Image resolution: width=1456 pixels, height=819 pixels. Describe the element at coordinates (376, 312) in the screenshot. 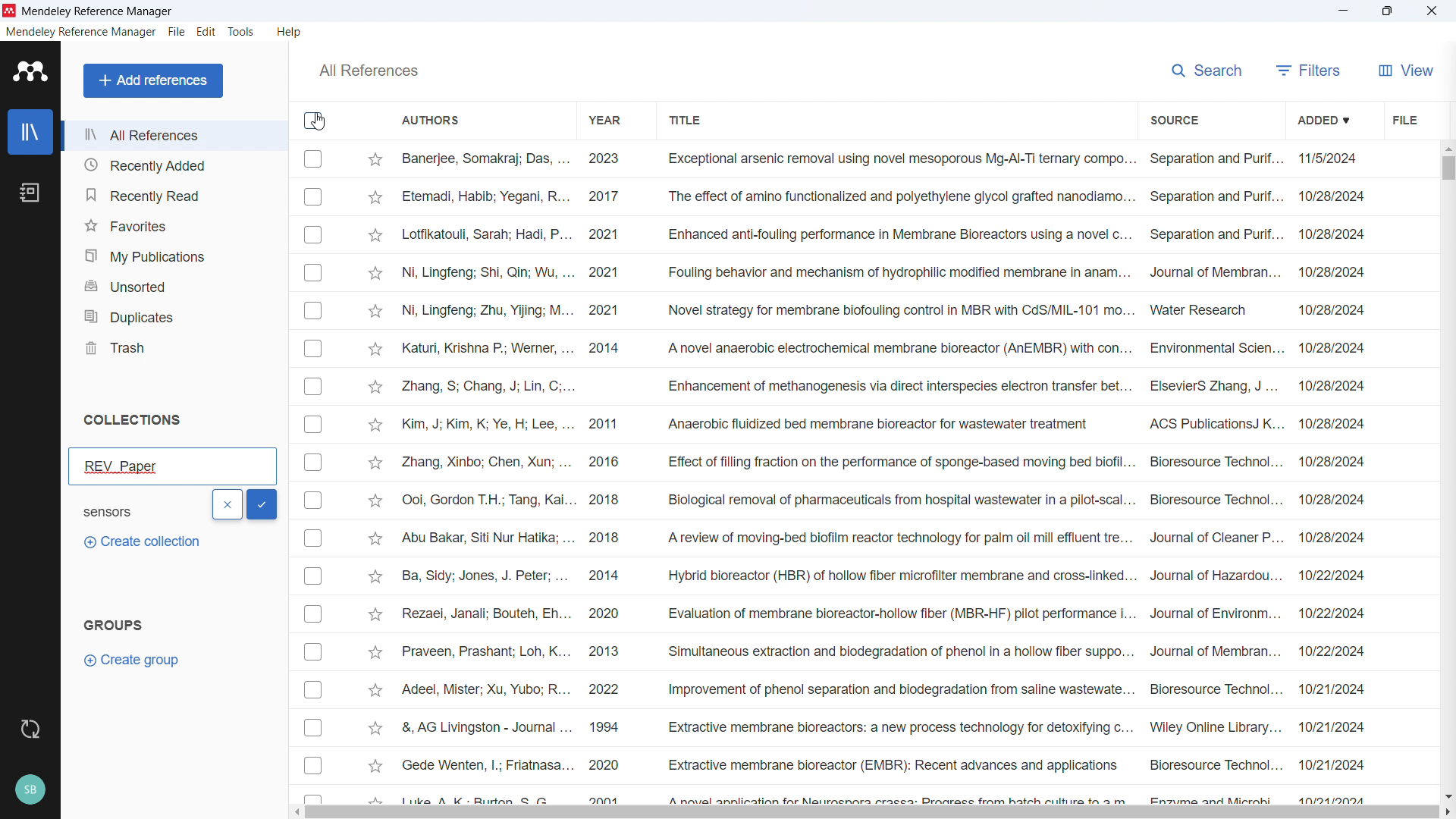

I see `Star mark respective publication` at that location.